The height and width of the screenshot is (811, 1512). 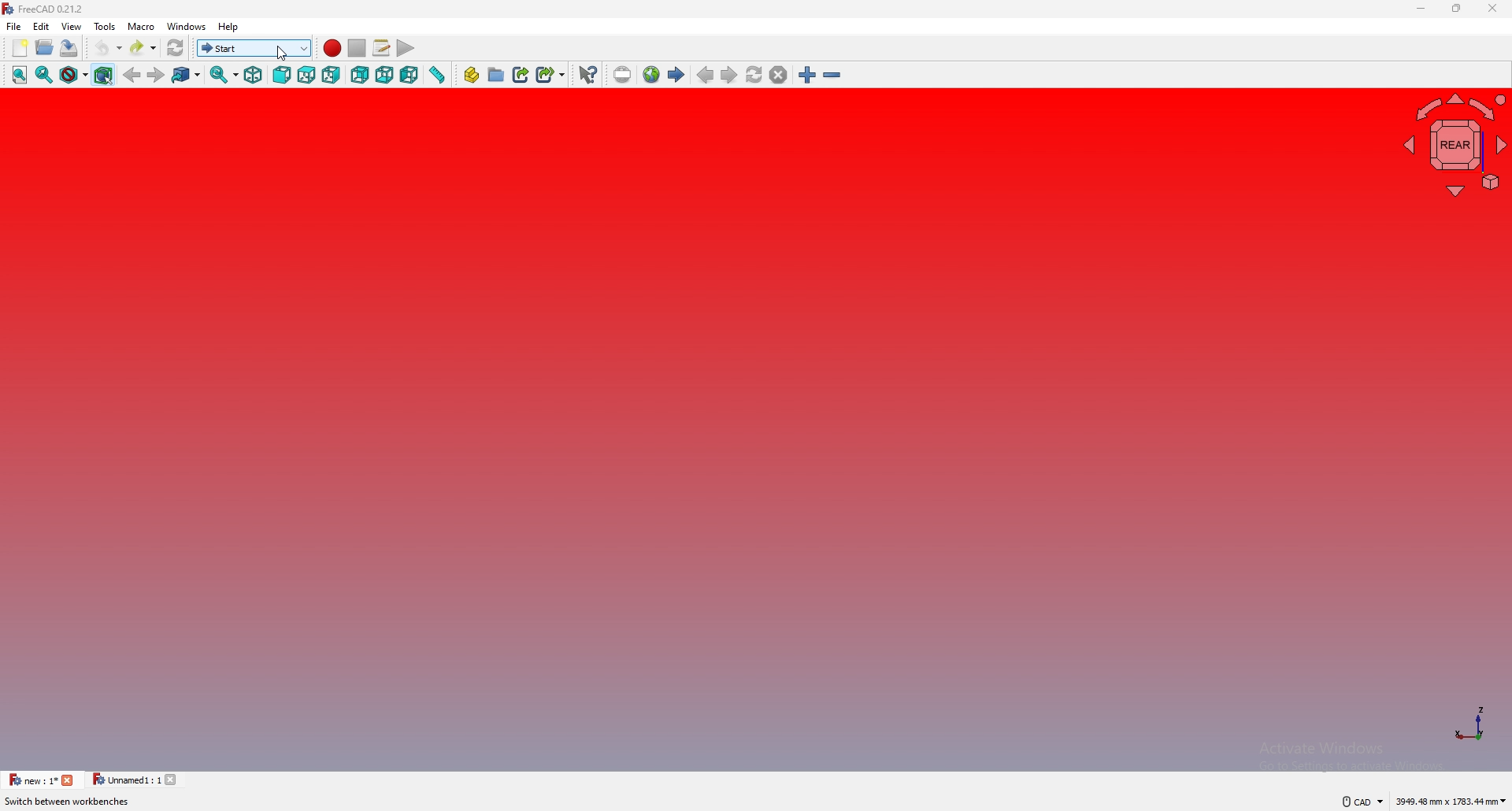 I want to click on create sub link, so click(x=551, y=75).